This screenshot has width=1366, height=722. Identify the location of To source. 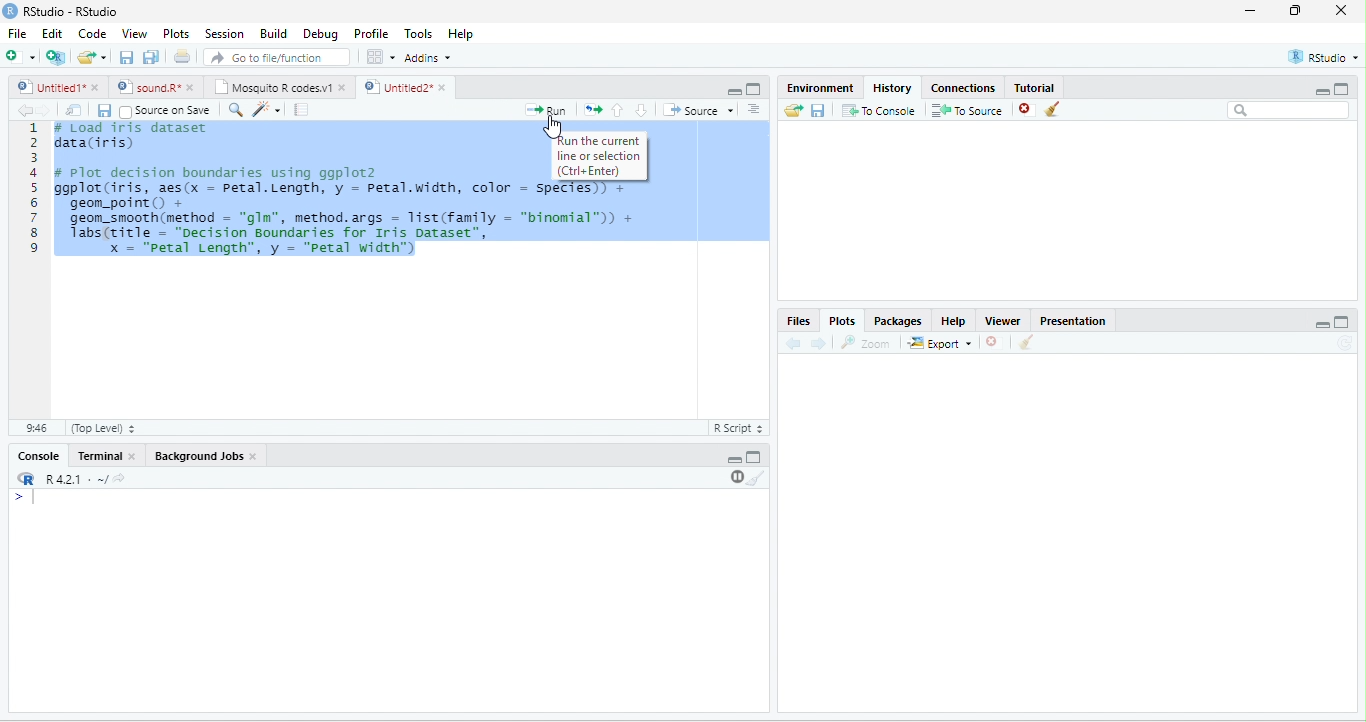
(965, 111).